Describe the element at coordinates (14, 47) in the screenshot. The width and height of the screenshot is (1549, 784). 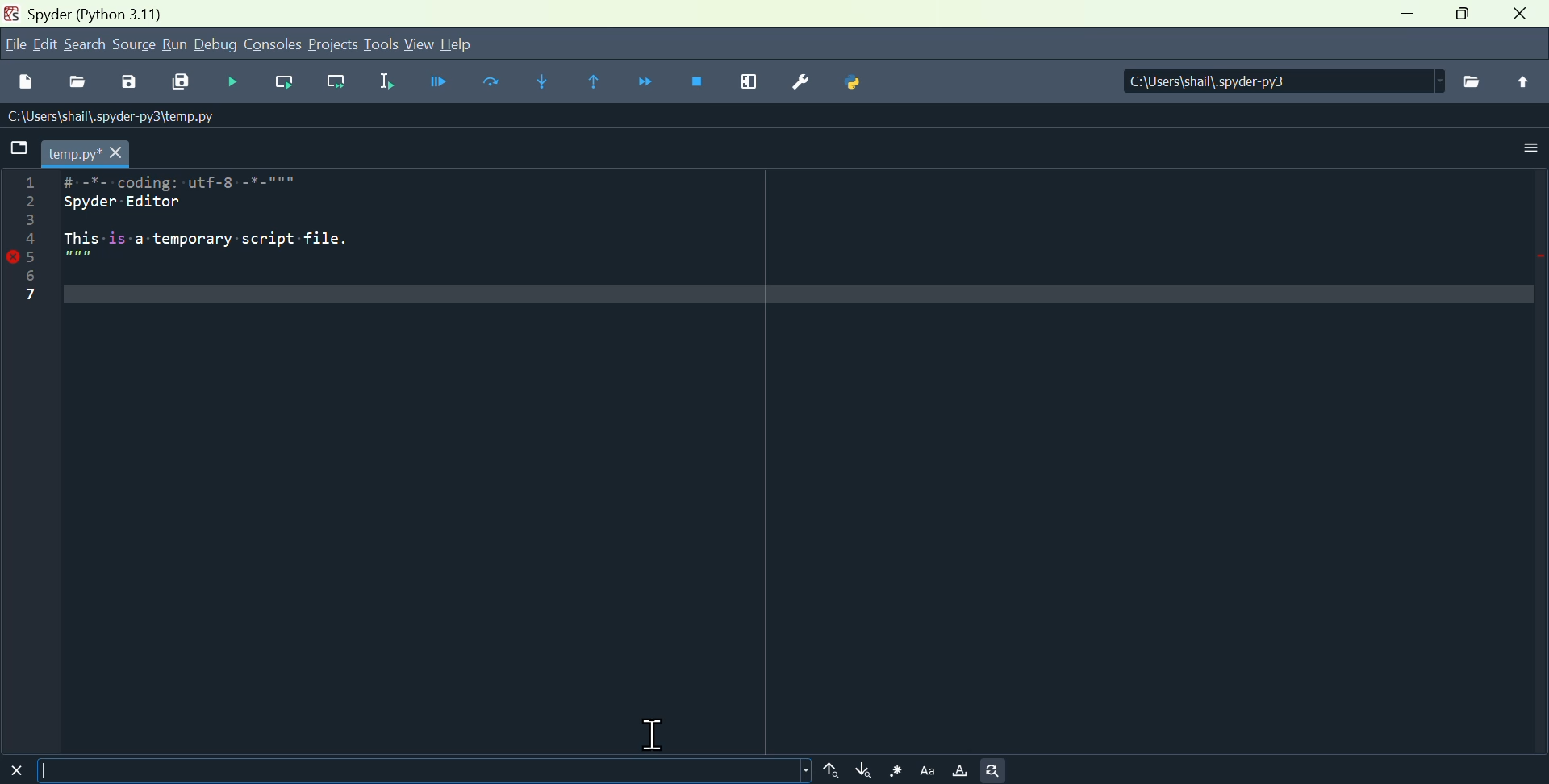
I see `file` at that location.